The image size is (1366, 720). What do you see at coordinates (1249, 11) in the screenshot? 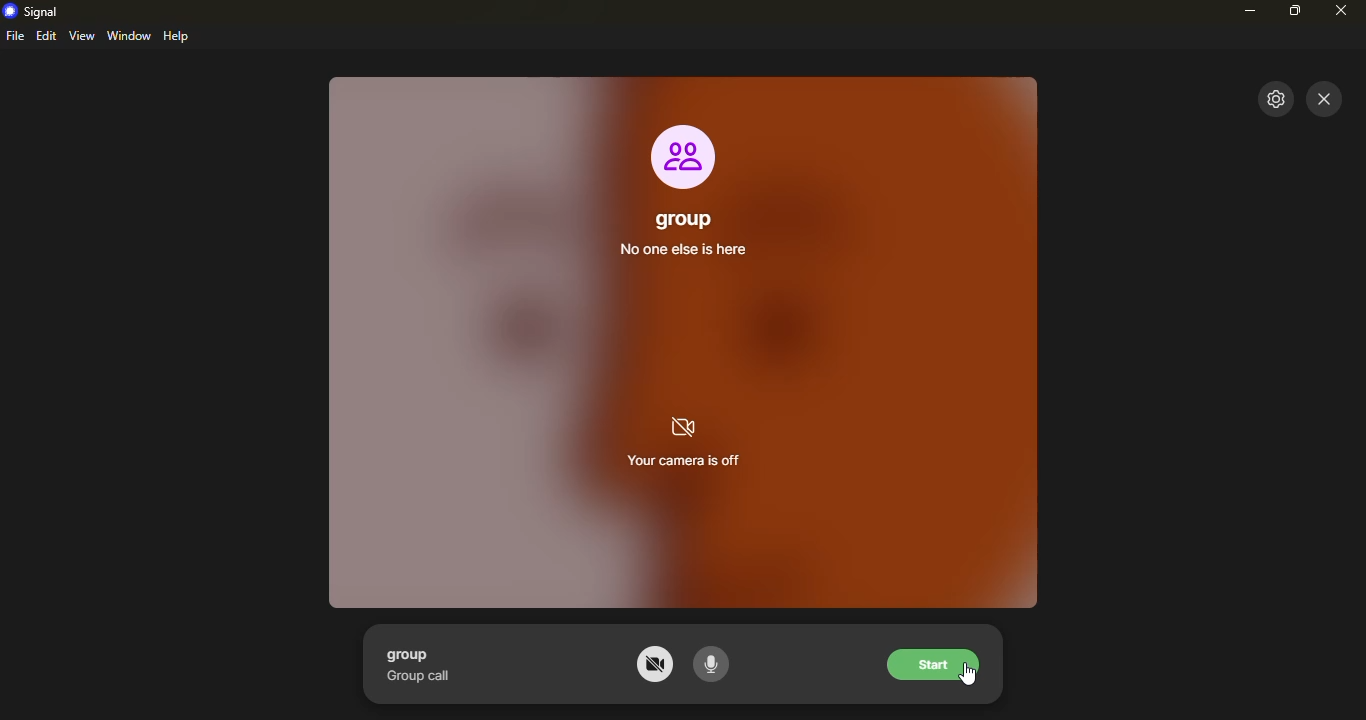
I see `minimize` at bounding box center [1249, 11].